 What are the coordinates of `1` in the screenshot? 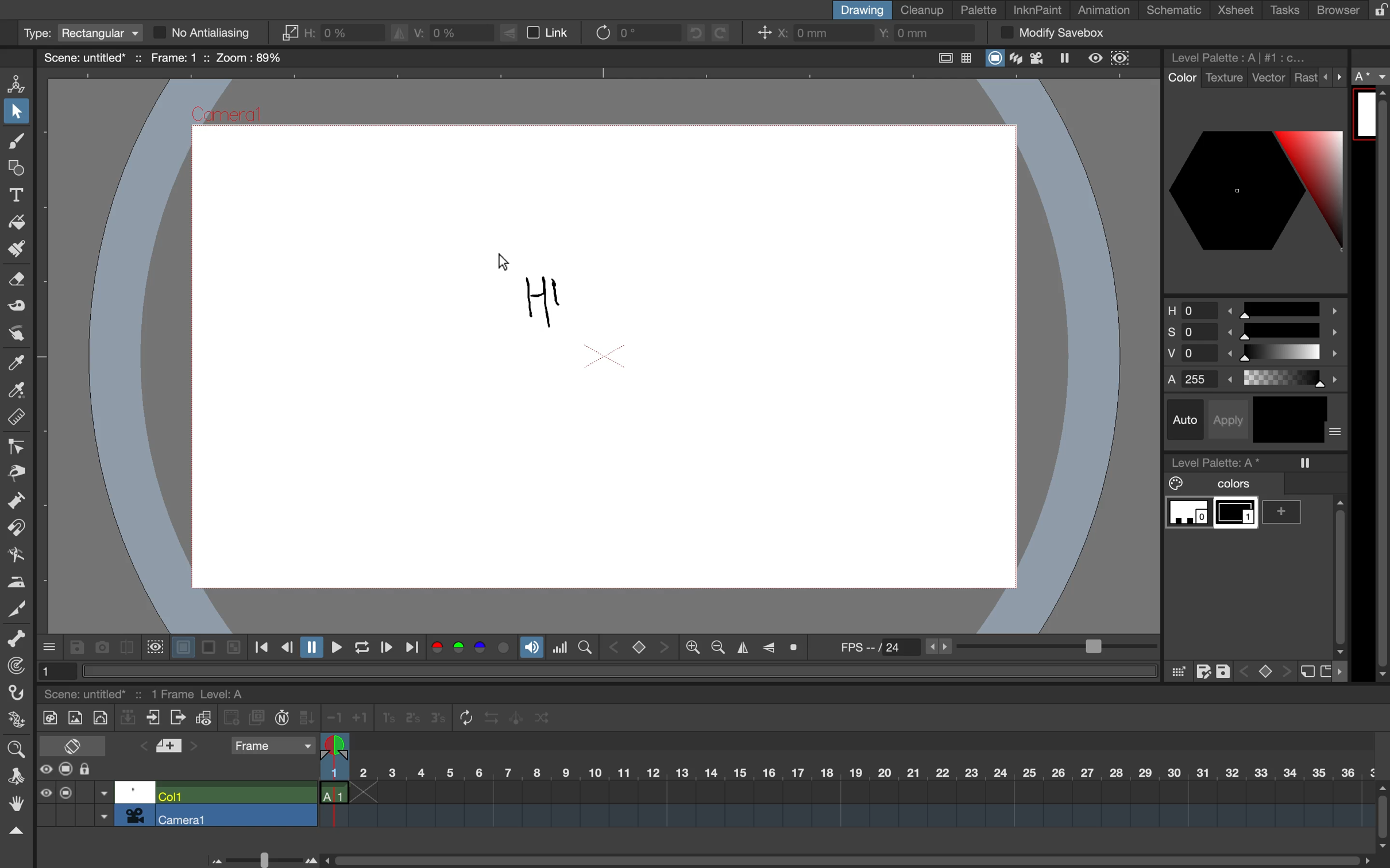 It's located at (53, 670).